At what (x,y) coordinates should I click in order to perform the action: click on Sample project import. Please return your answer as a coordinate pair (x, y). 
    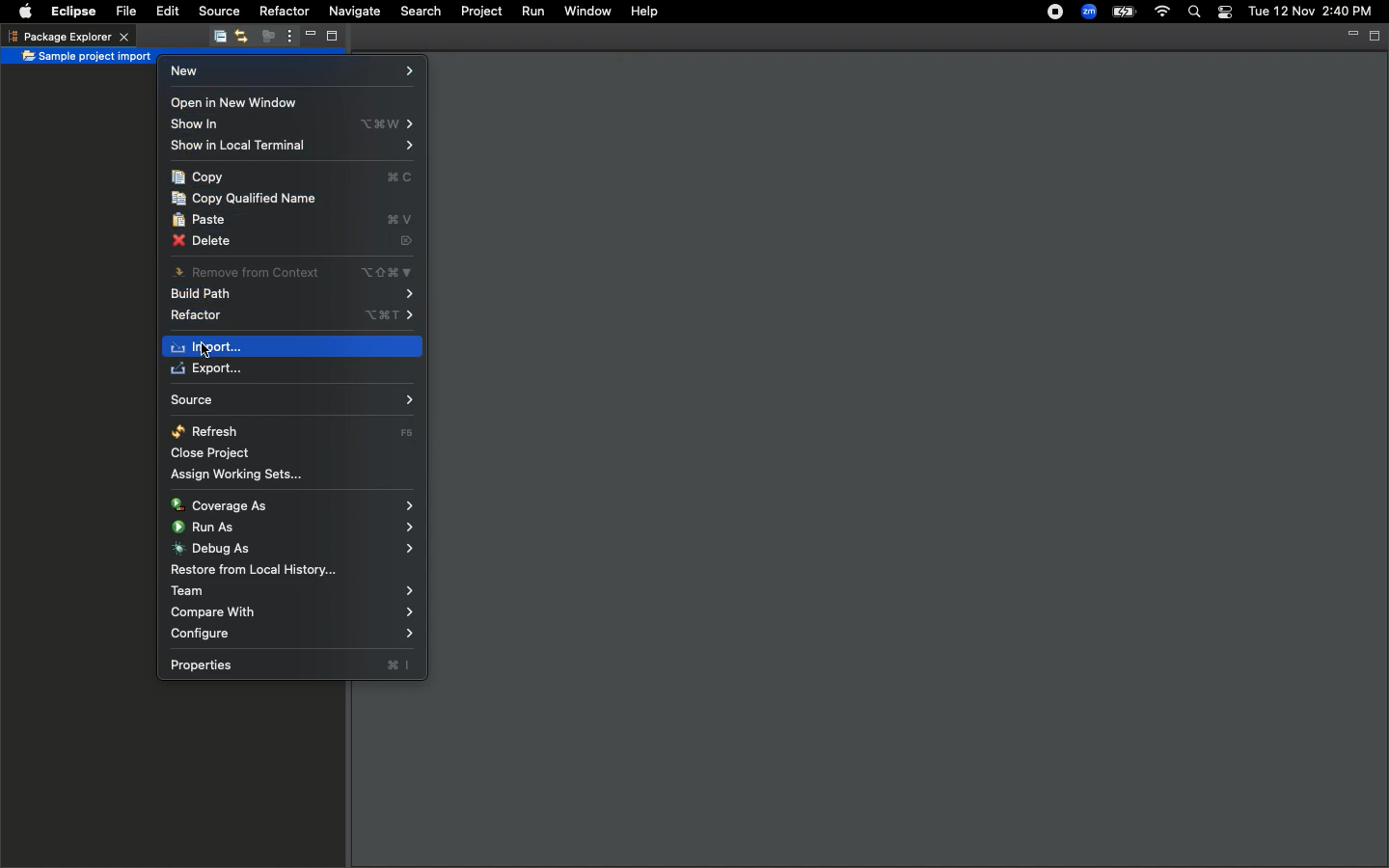
    Looking at the image, I should click on (87, 58).